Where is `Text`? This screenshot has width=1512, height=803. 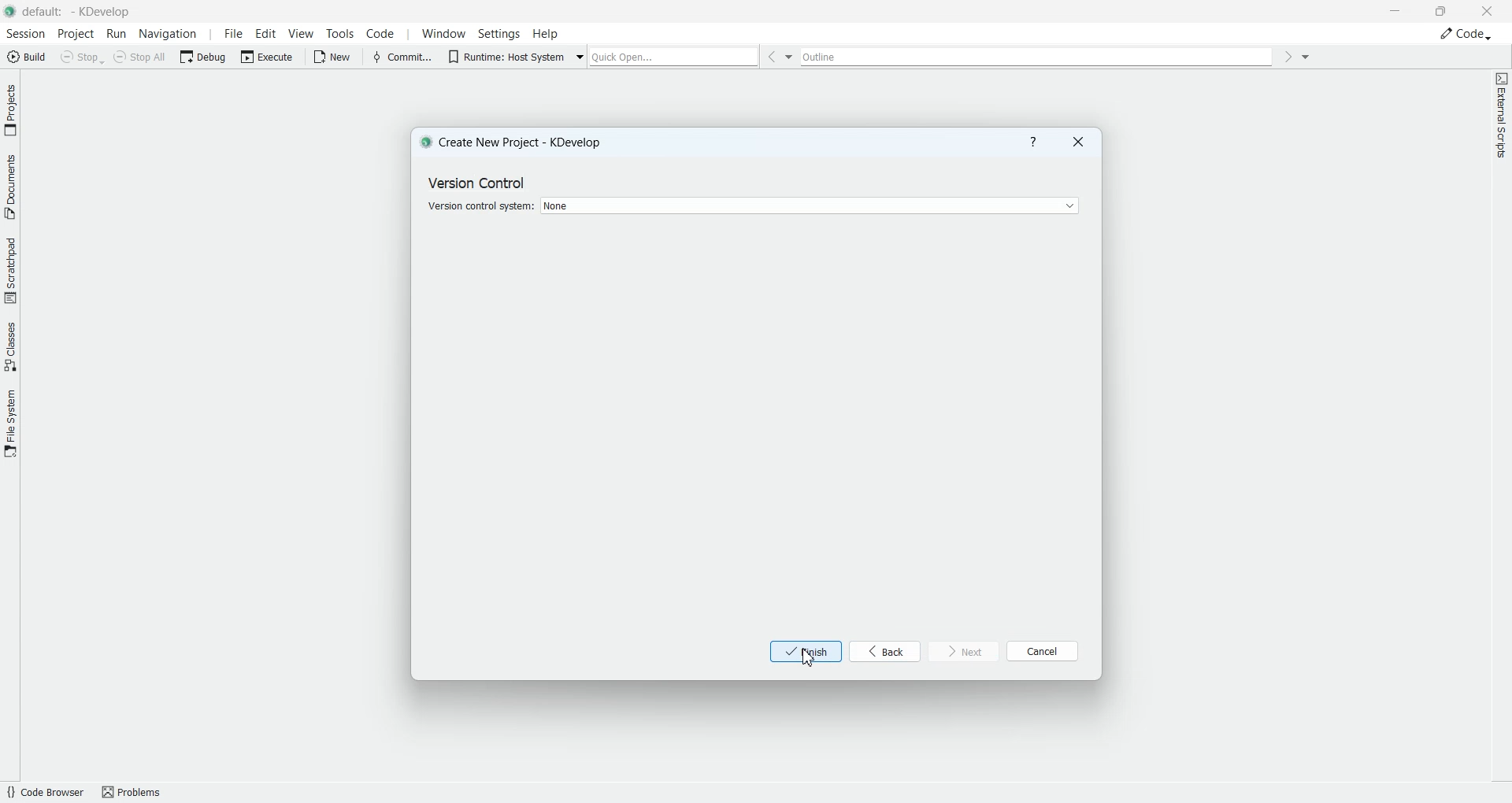
Text is located at coordinates (480, 181).